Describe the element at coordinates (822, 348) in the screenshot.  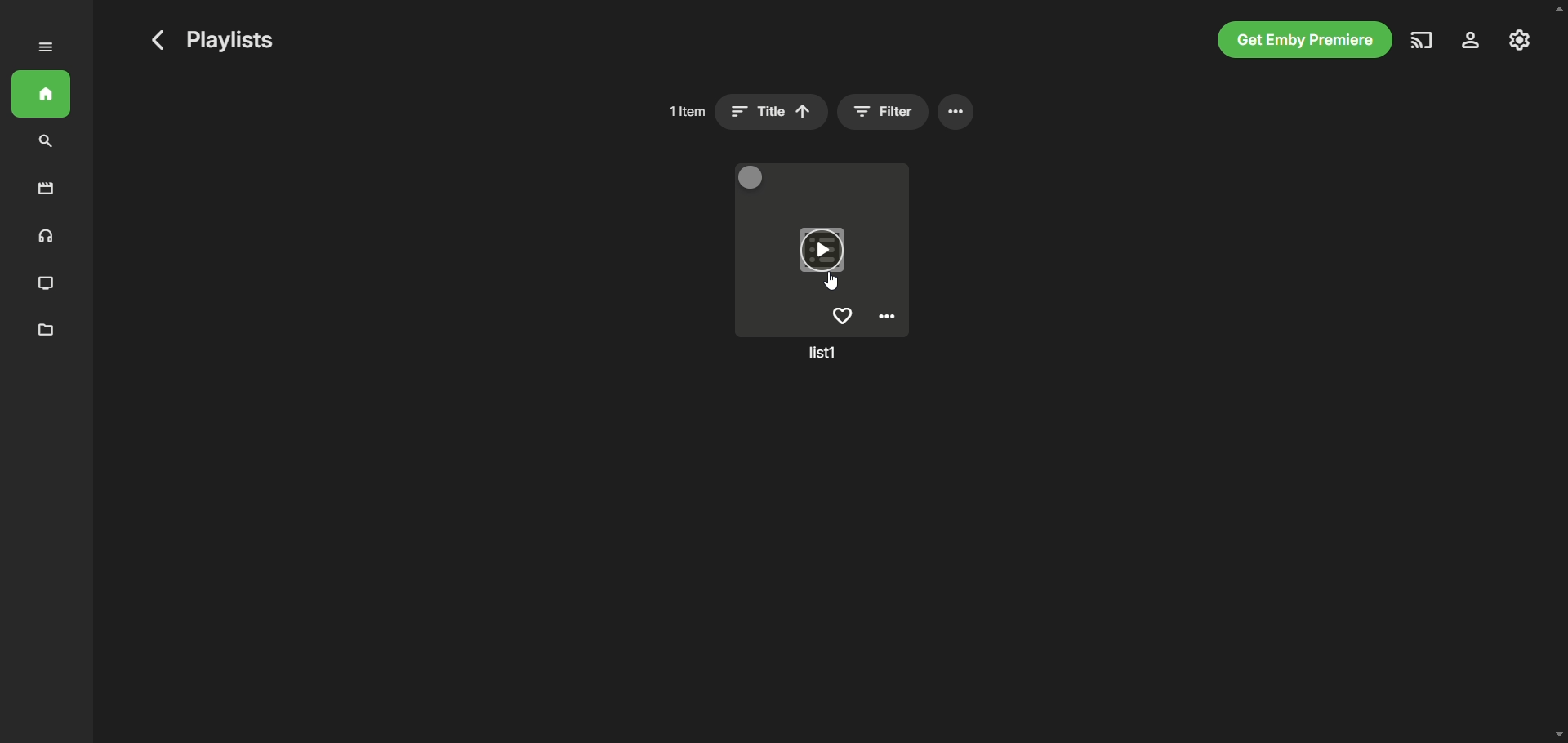
I see `playlist` at that location.